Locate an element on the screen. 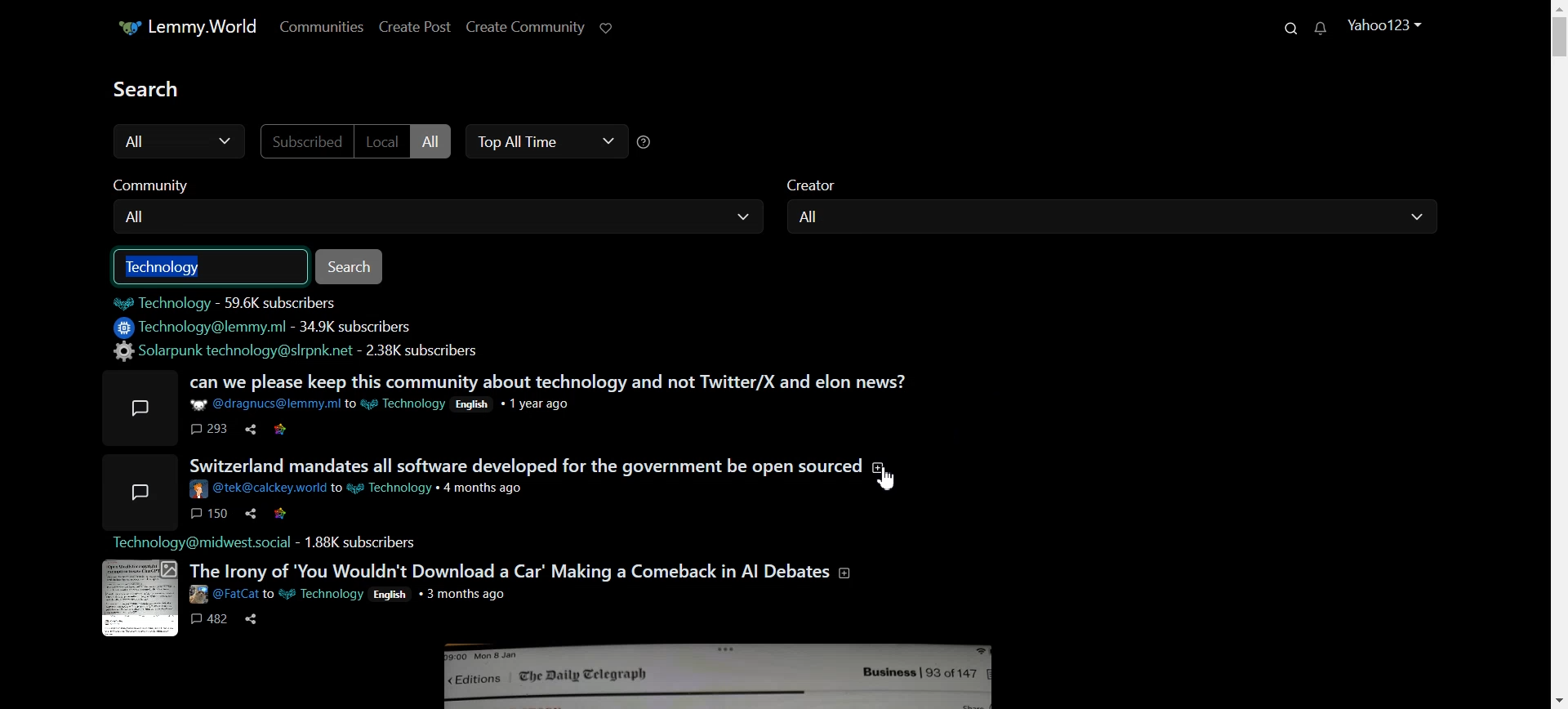 This screenshot has height=709, width=1568. Communities is located at coordinates (325, 26).